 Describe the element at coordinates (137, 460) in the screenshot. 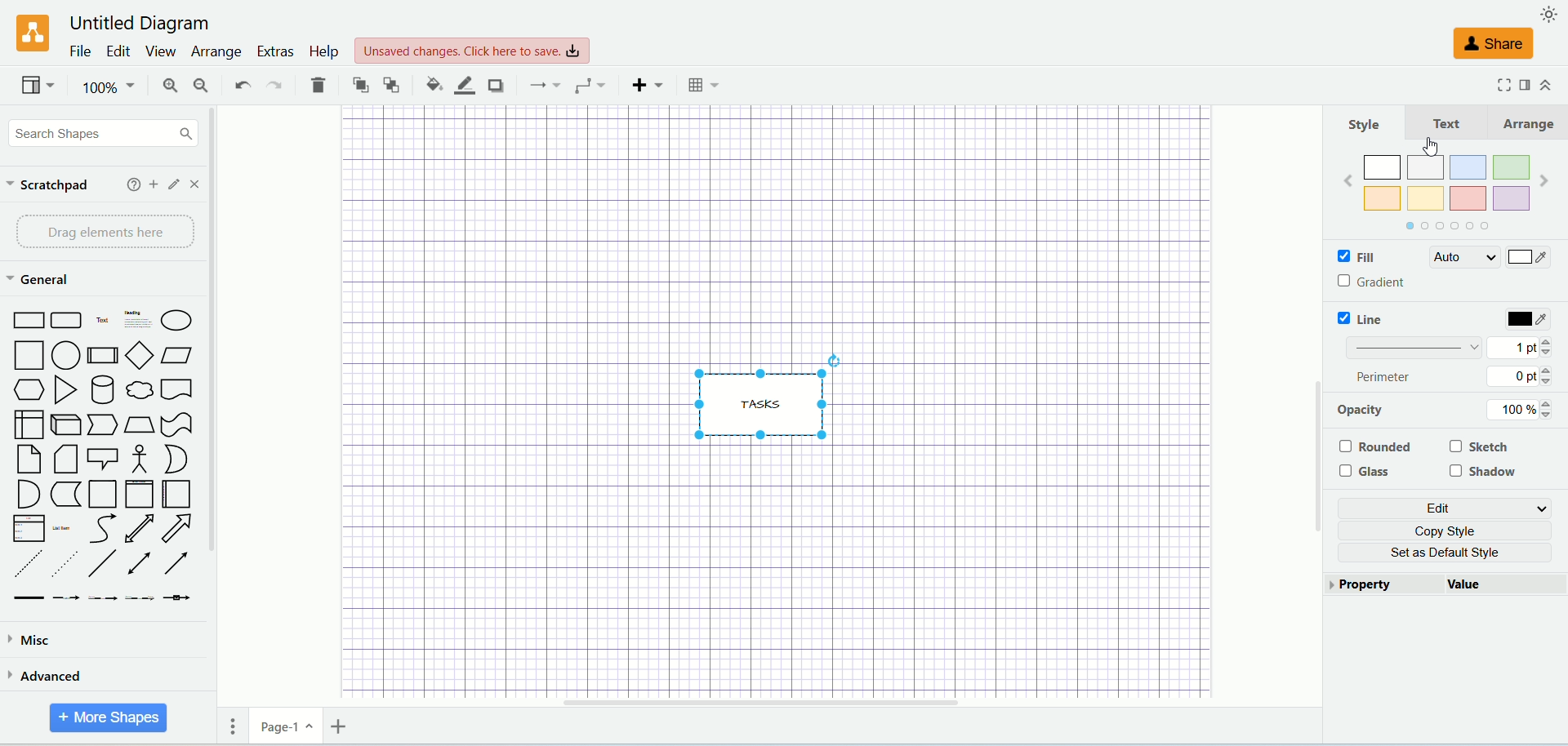

I see `Actor` at that location.